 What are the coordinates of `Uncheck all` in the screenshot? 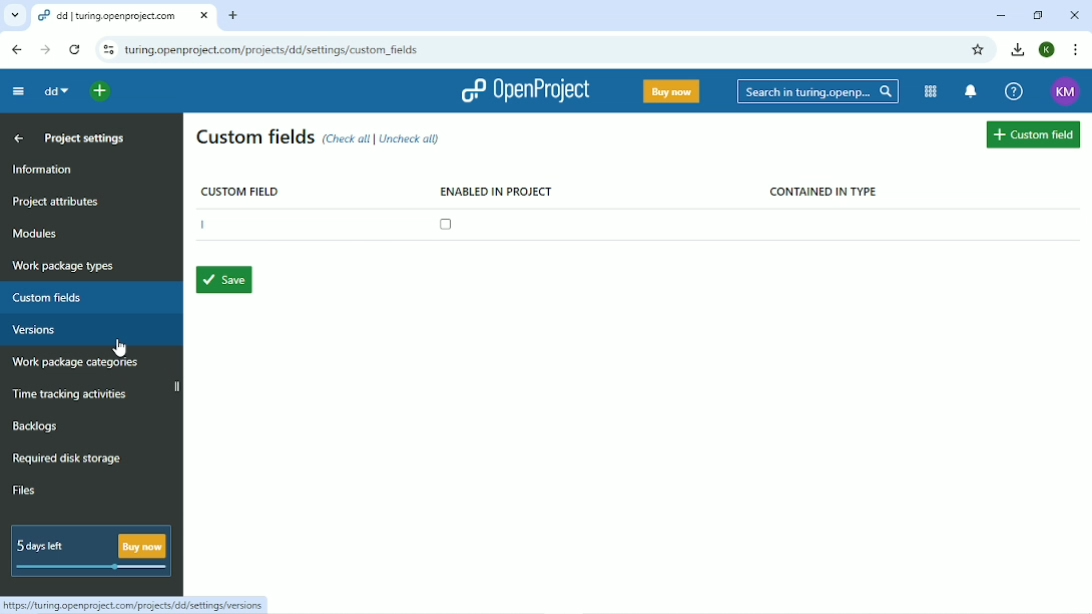 It's located at (412, 138).